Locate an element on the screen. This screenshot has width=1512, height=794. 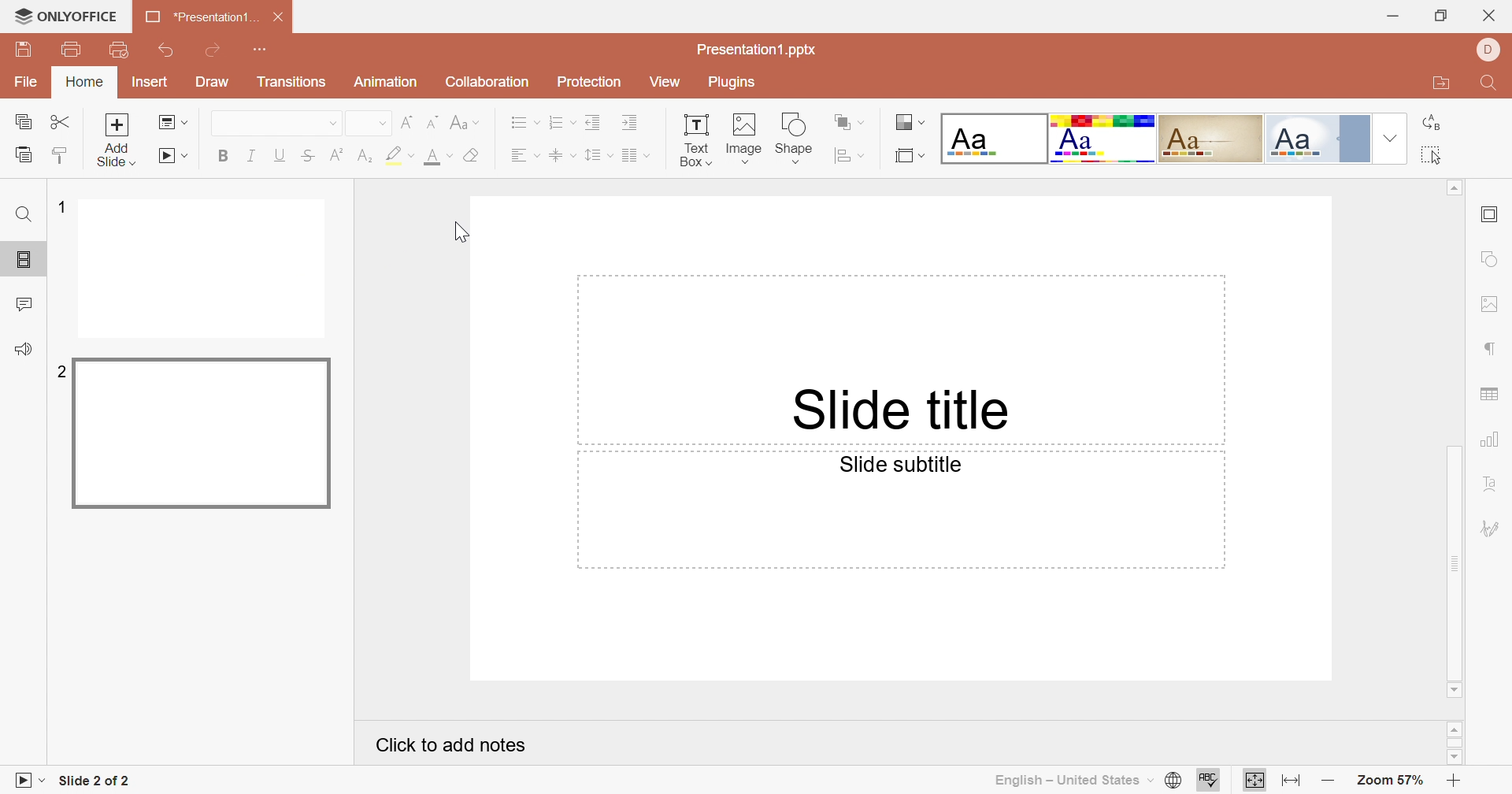
Copy style is located at coordinates (65, 154).